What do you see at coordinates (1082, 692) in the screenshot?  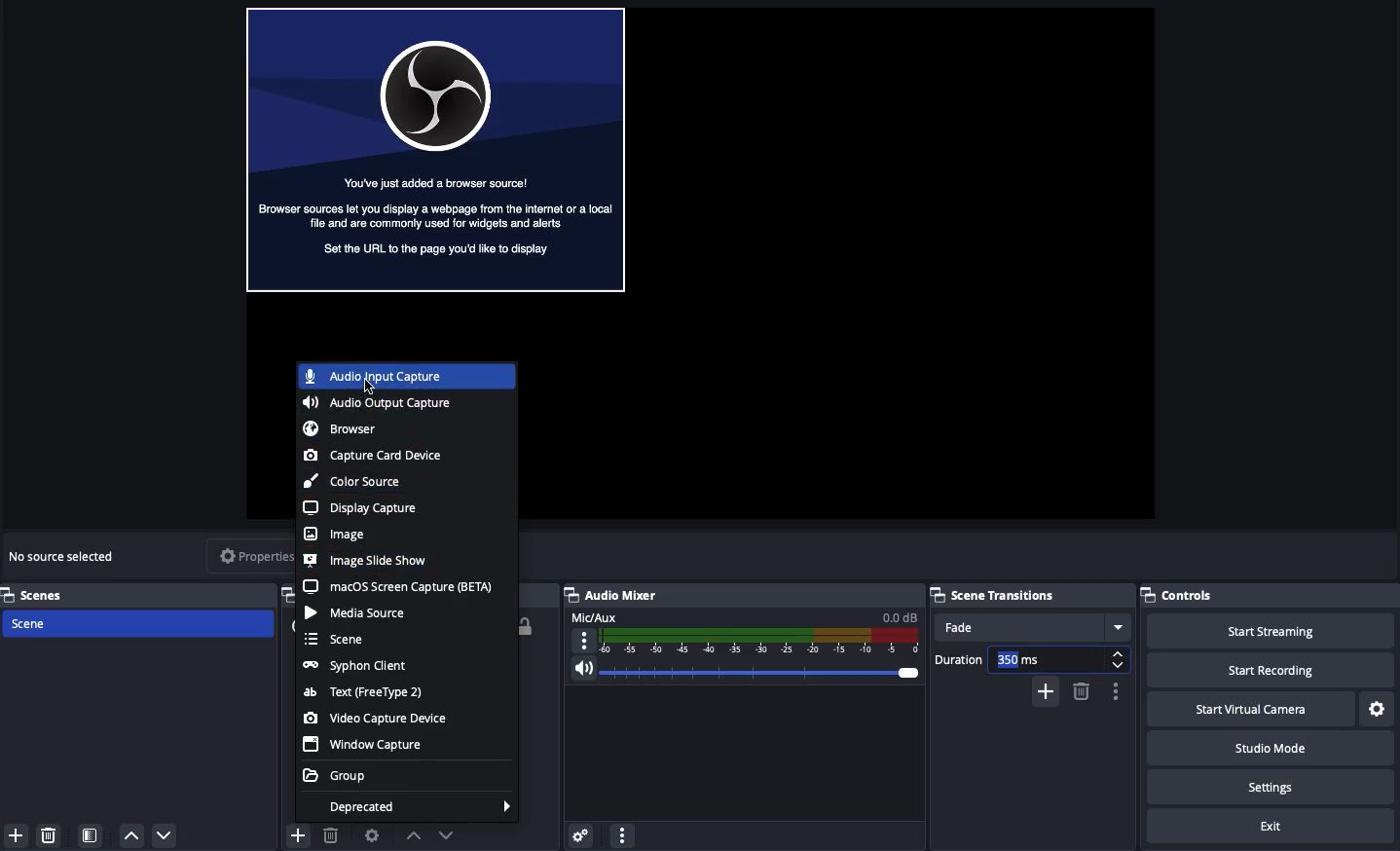 I see `Remove` at bounding box center [1082, 692].